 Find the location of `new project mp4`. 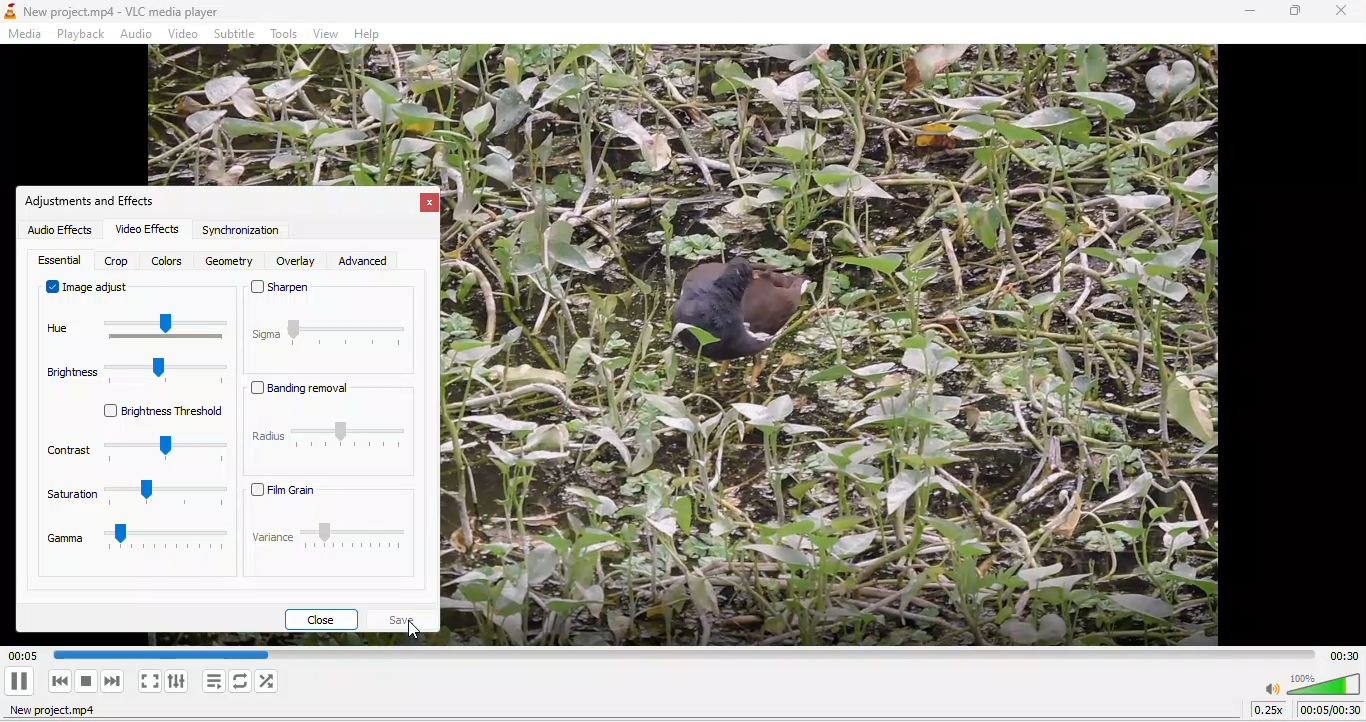

new project mp4 is located at coordinates (61, 713).